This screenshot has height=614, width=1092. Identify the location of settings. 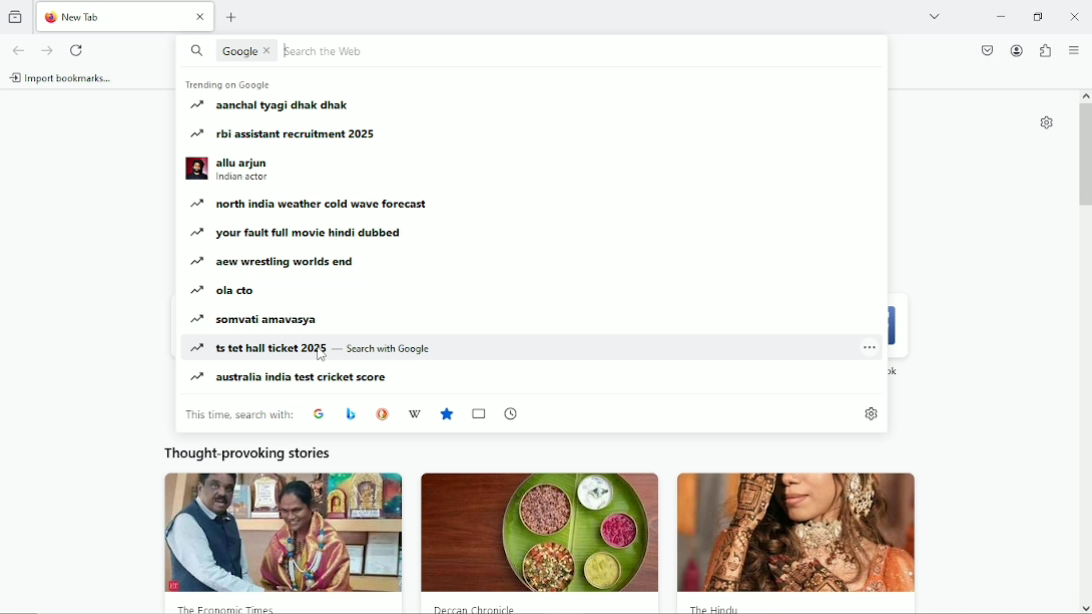
(870, 412).